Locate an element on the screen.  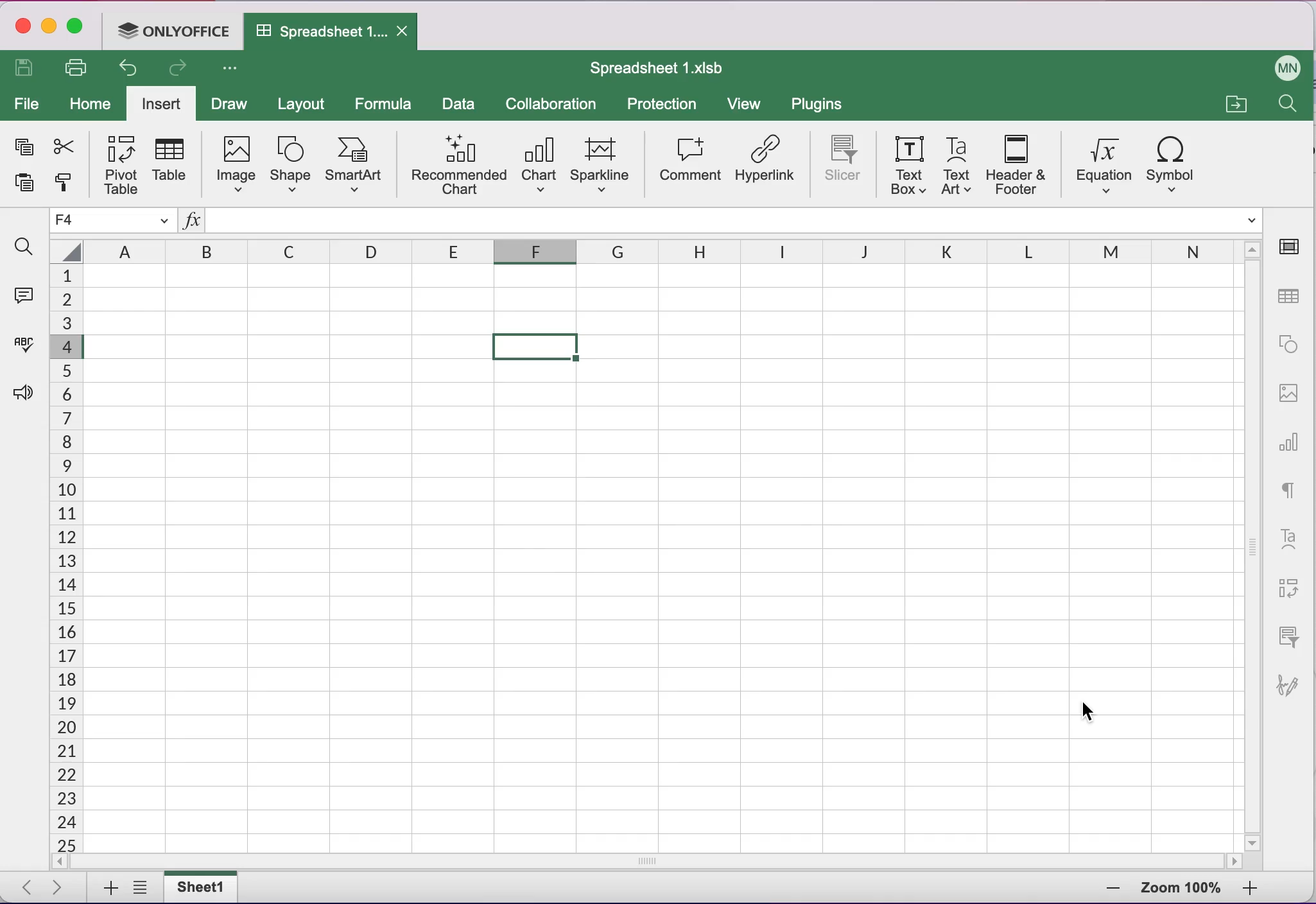
feedback and support is located at coordinates (24, 392).